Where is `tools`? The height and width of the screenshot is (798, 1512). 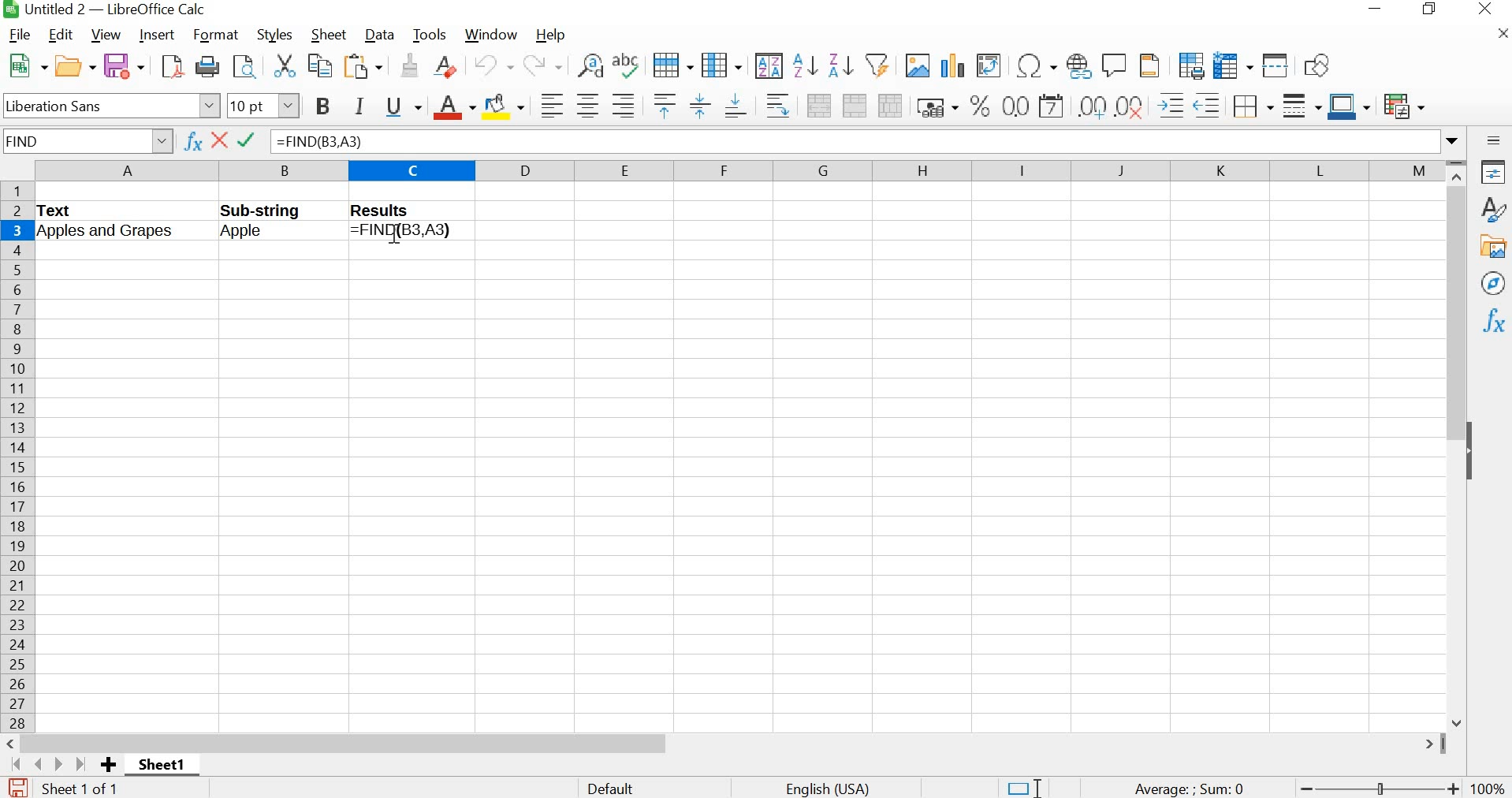 tools is located at coordinates (430, 35).